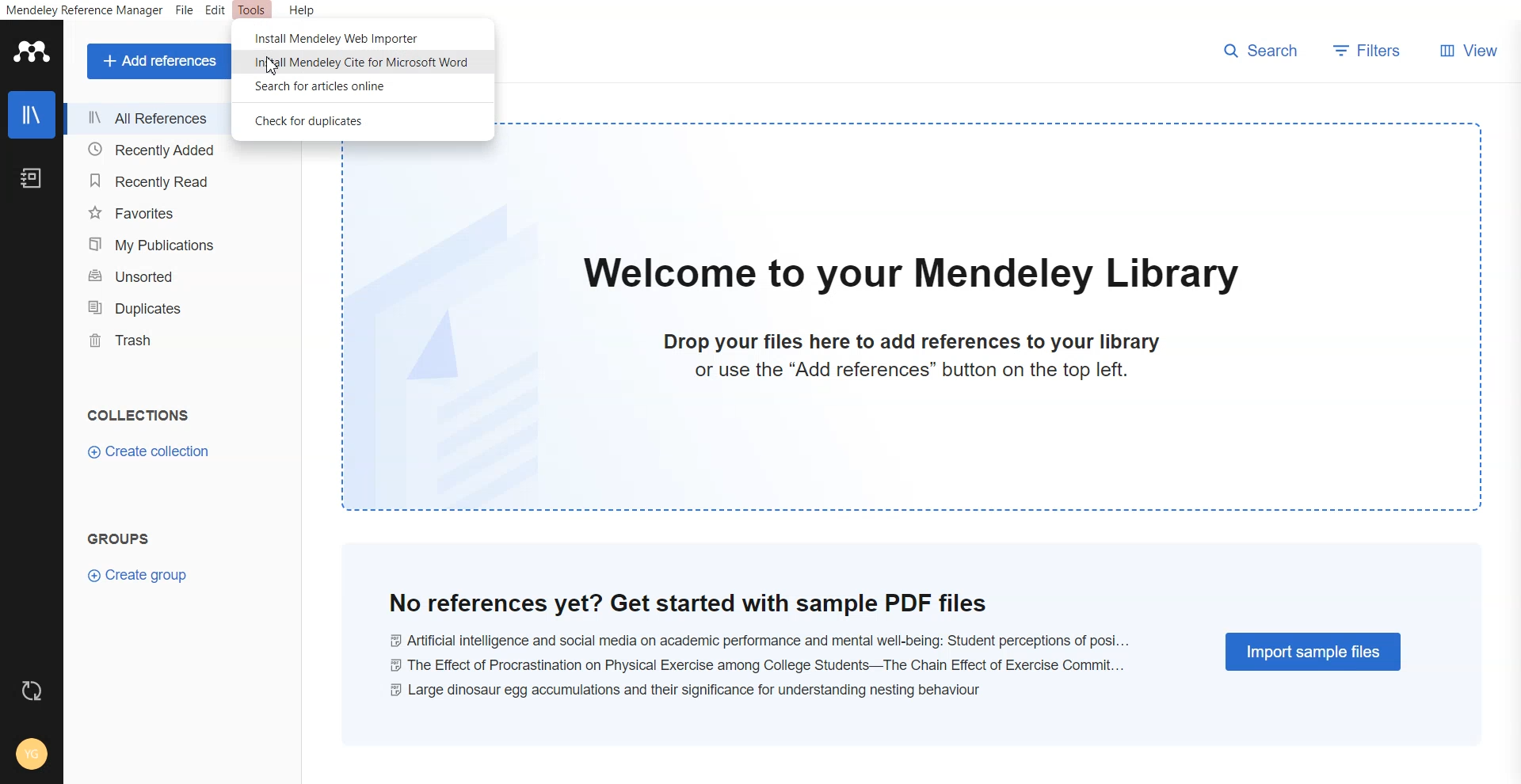  I want to click on file watermark background image, so click(451, 354).